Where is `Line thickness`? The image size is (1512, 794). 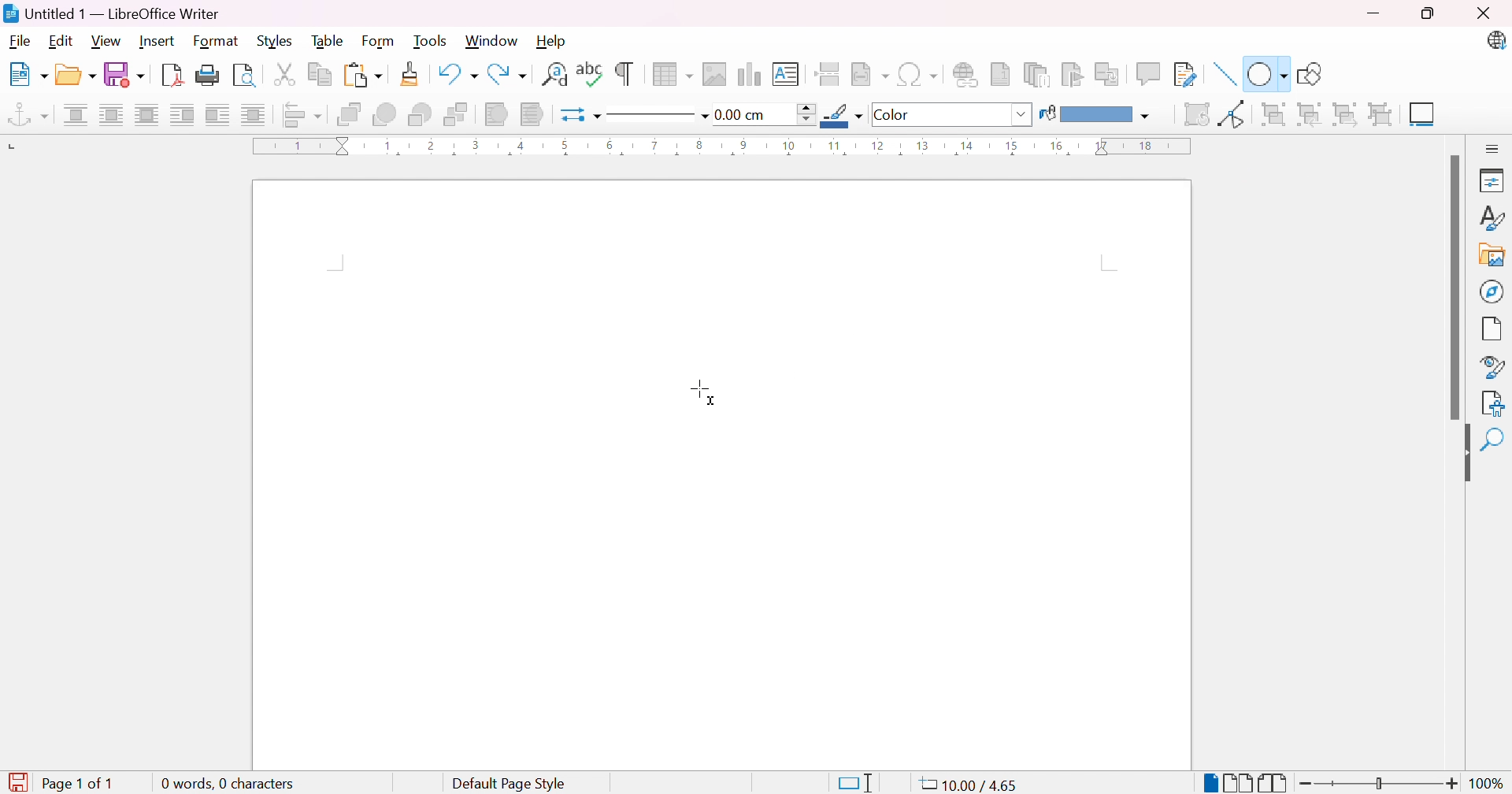 Line thickness is located at coordinates (765, 115).